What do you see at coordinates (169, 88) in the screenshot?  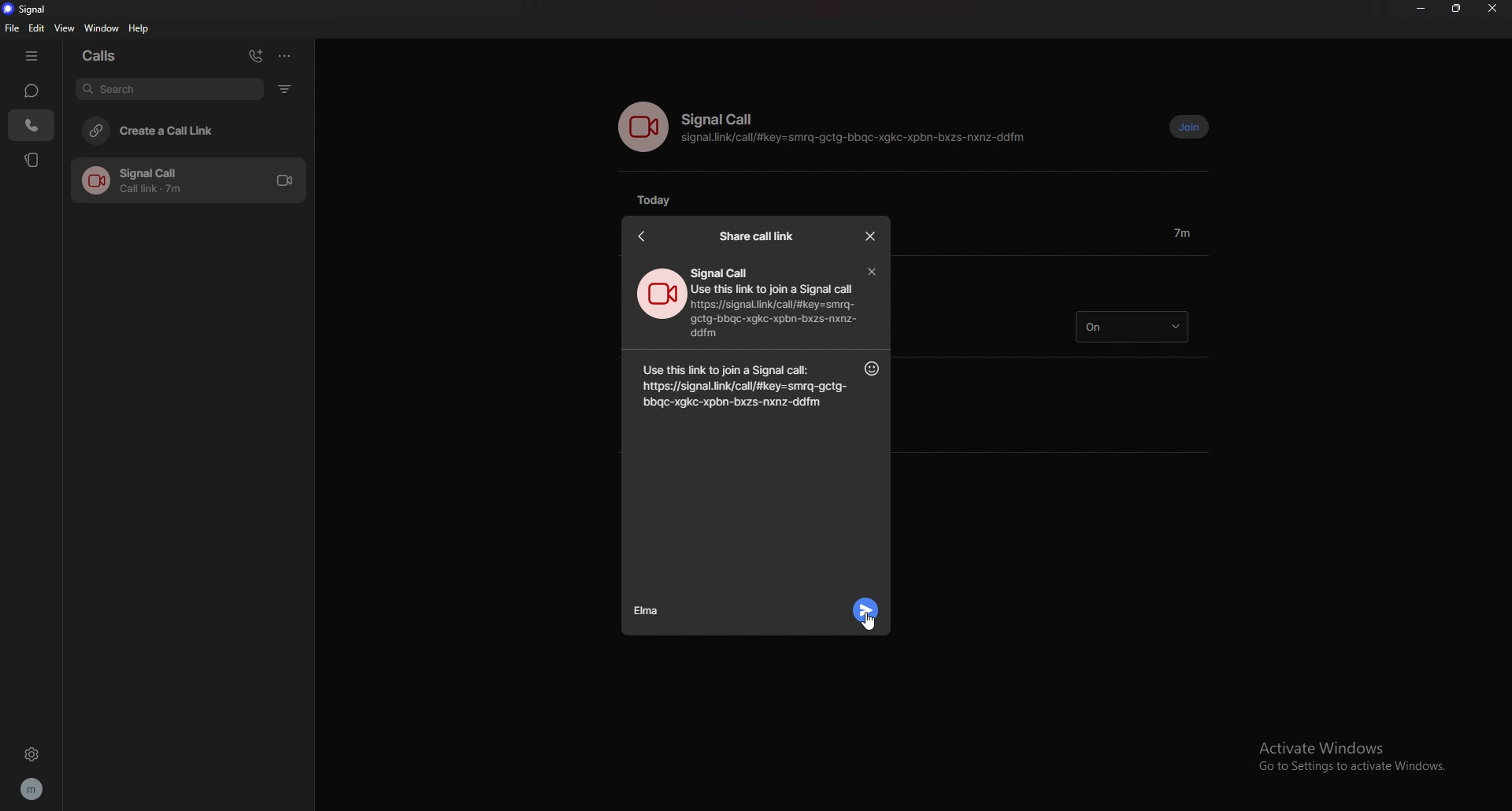 I see `search` at bounding box center [169, 88].